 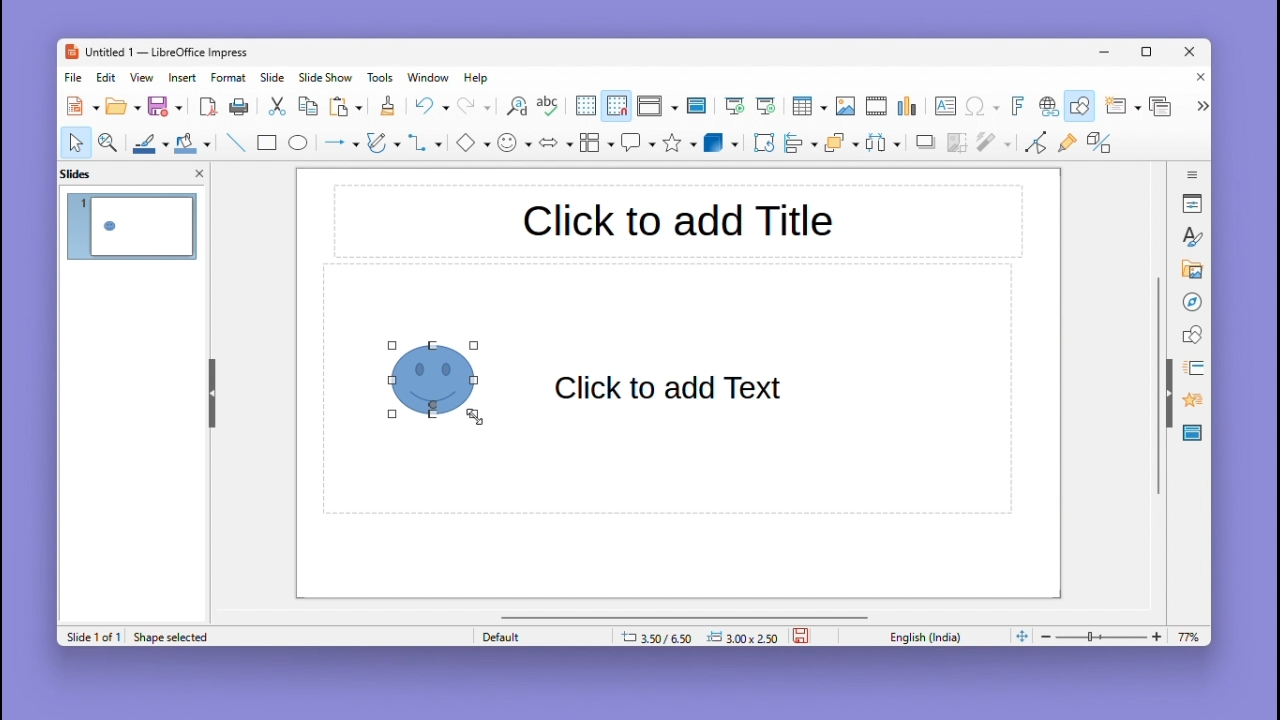 What do you see at coordinates (339, 143) in the screenshot?
I see `Arrow` at bounding box center [339, 143].